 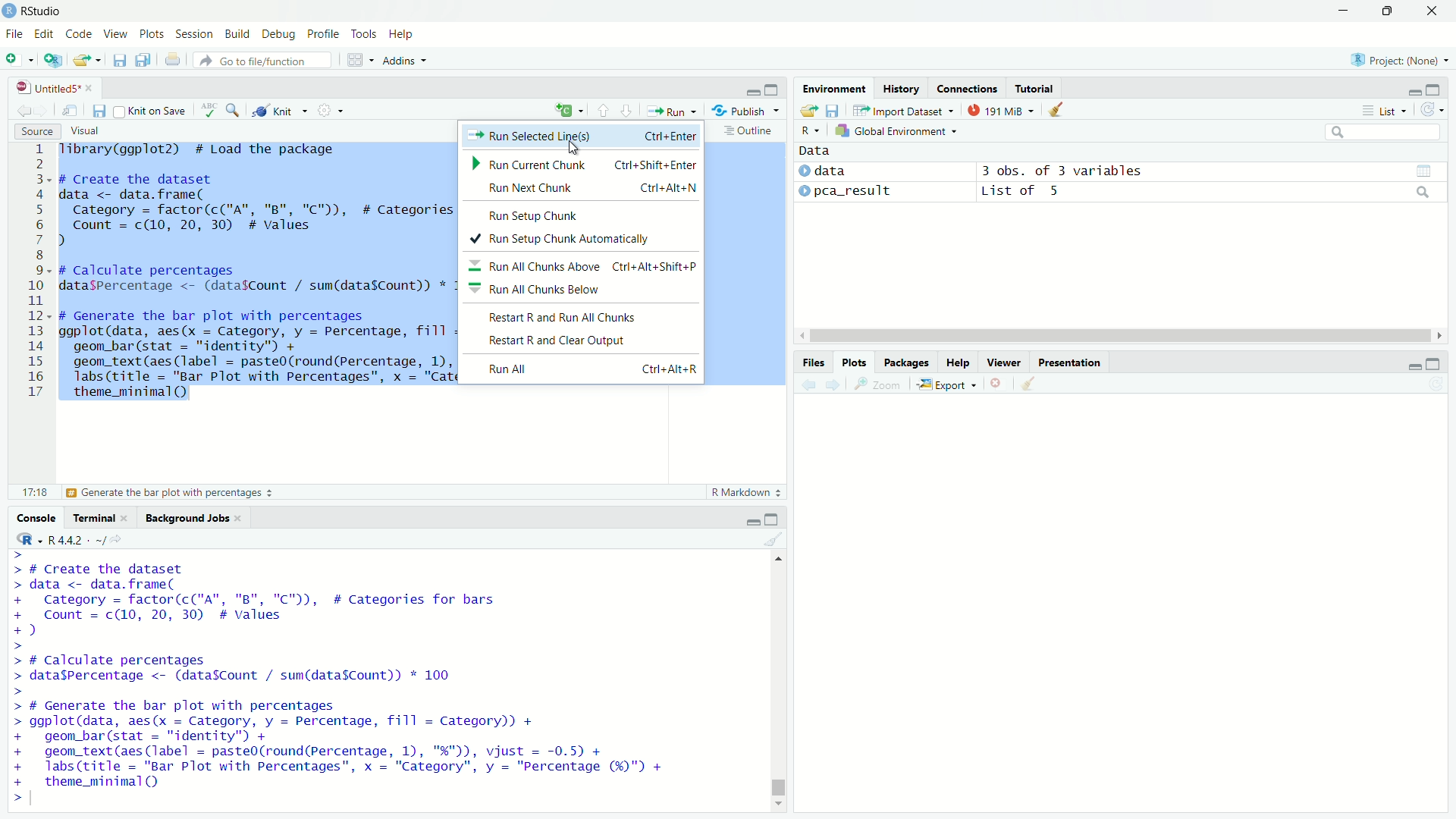 I want to click on horizontal scrollbar, so click(x=1122, y=337).